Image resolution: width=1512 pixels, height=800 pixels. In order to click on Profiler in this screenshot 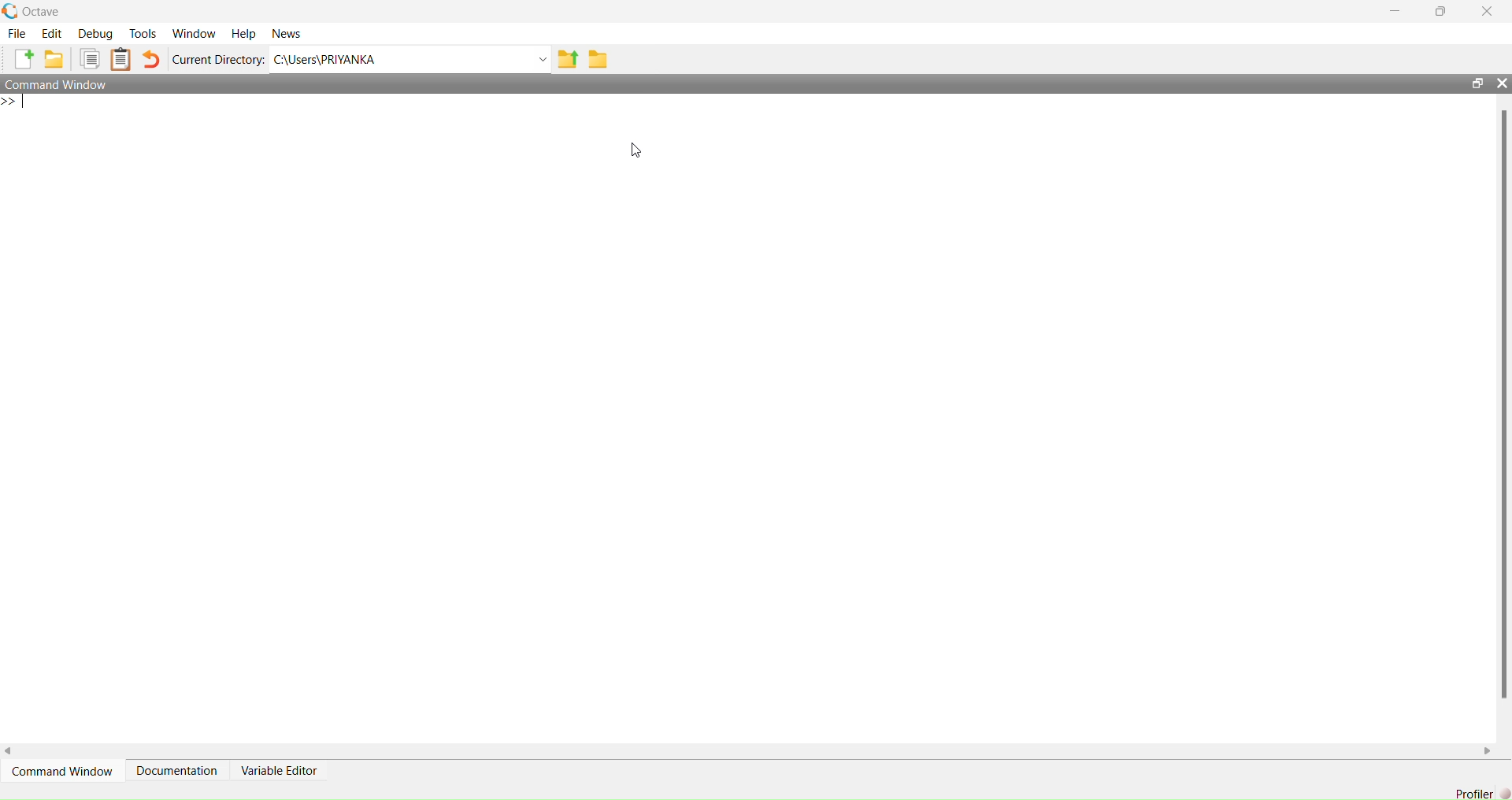, I will do `click(1474, 793)`.